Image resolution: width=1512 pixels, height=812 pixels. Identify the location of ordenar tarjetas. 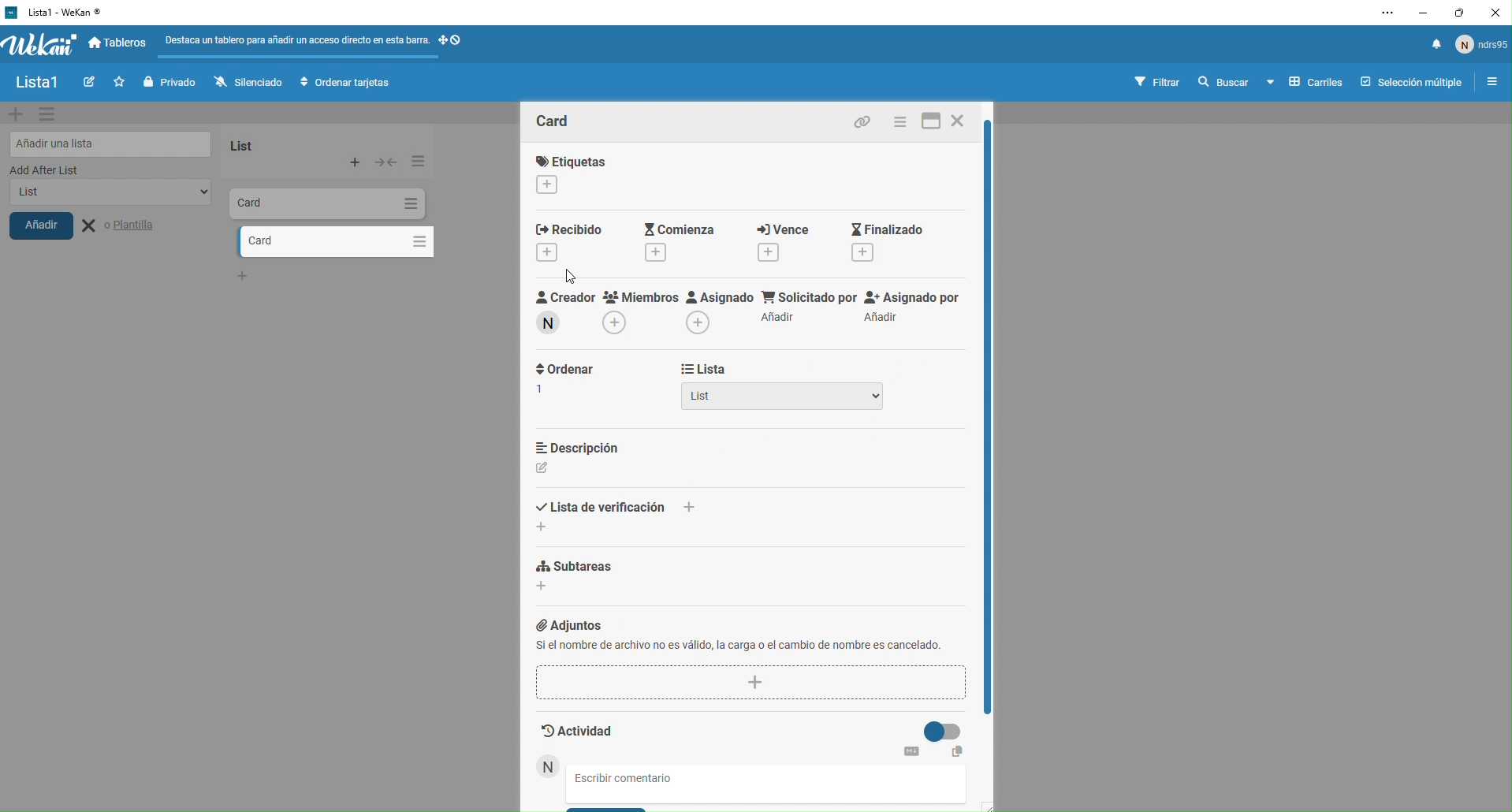
(348, 84).